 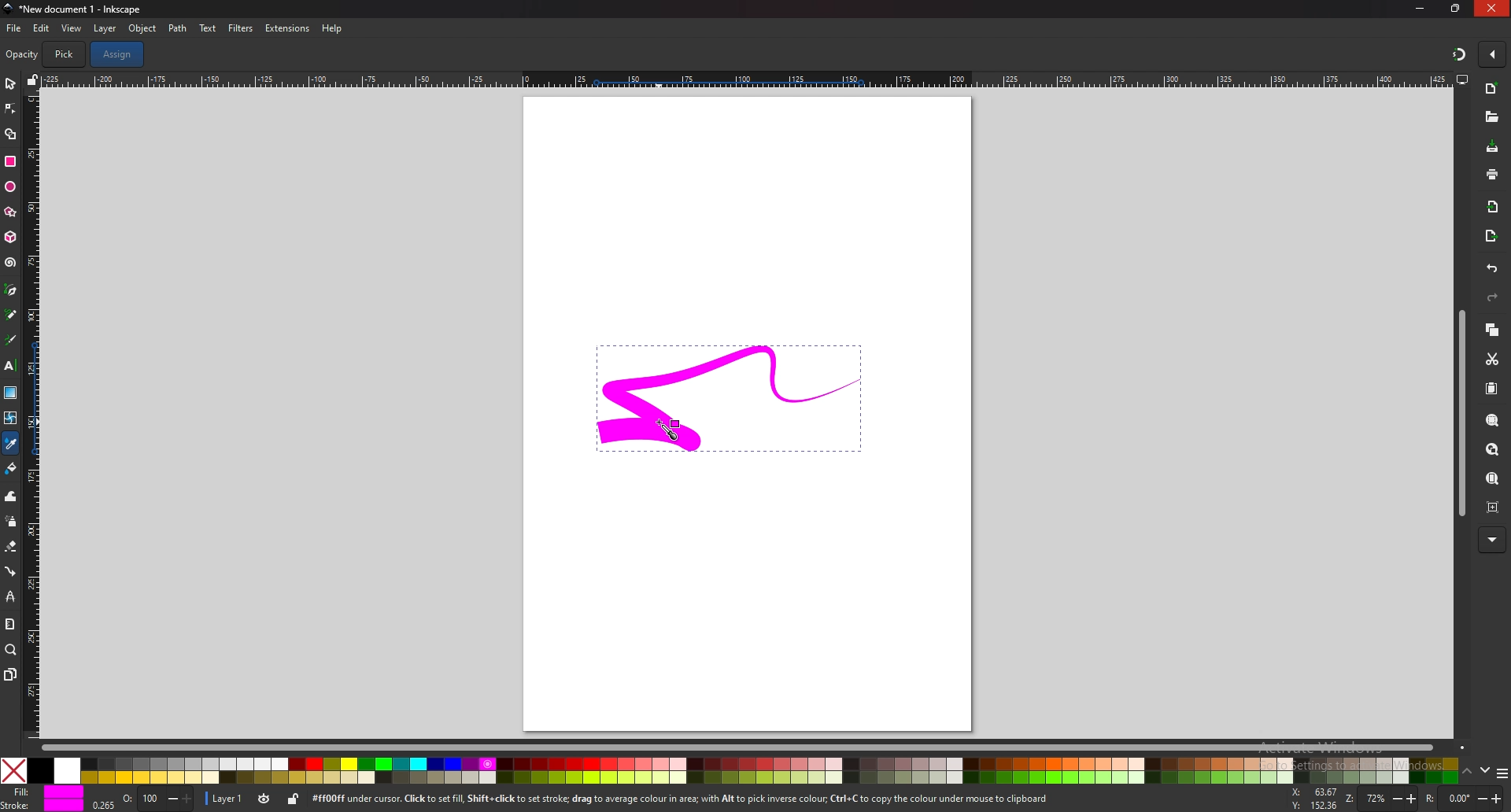 What do you see at coordinates (1493, 422) in the screenshot?
I see `zoom selection` at bounding box center [1493, 422].